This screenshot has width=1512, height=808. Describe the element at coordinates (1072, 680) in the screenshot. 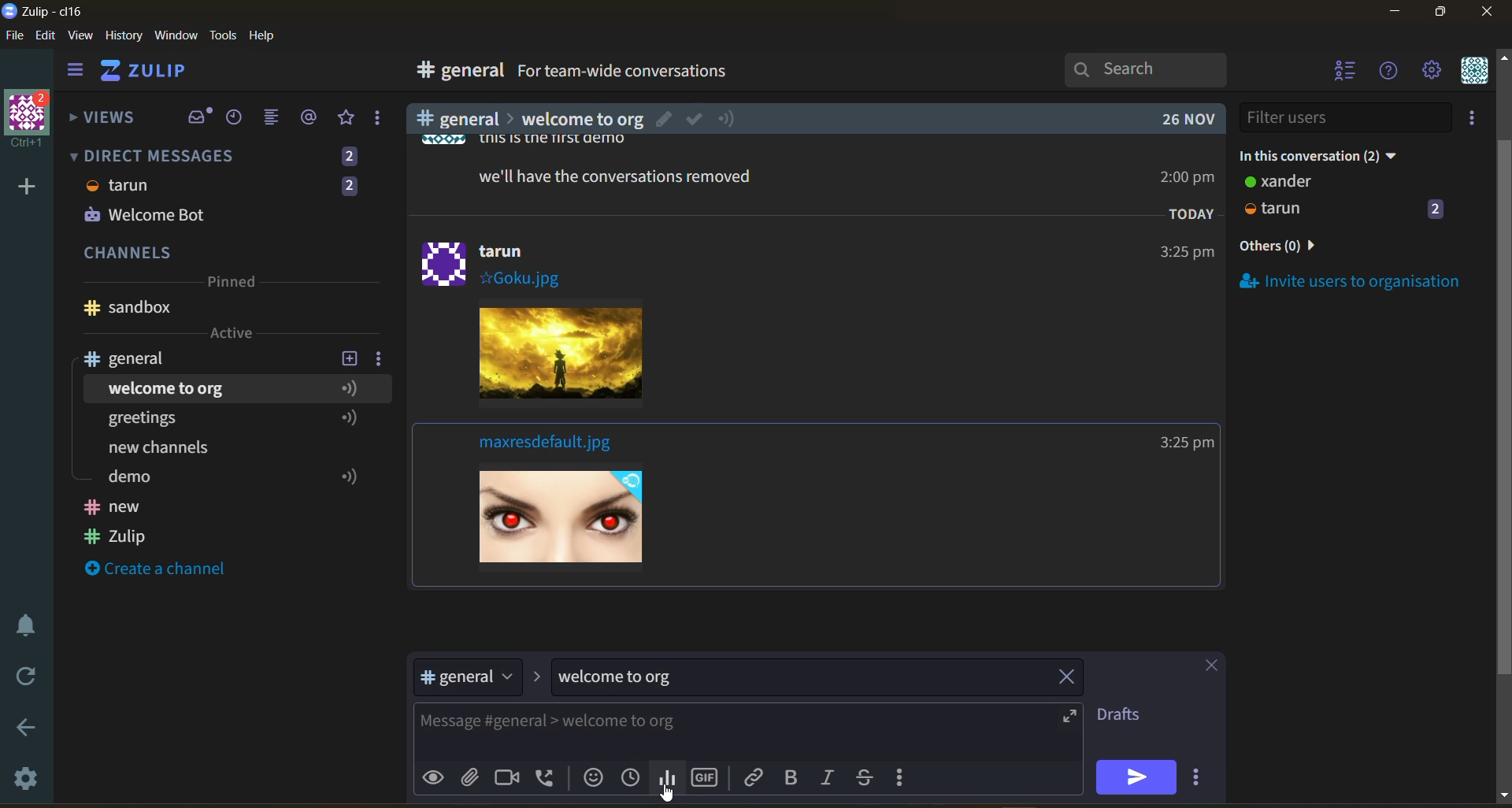

I see `remove topic` at that location.